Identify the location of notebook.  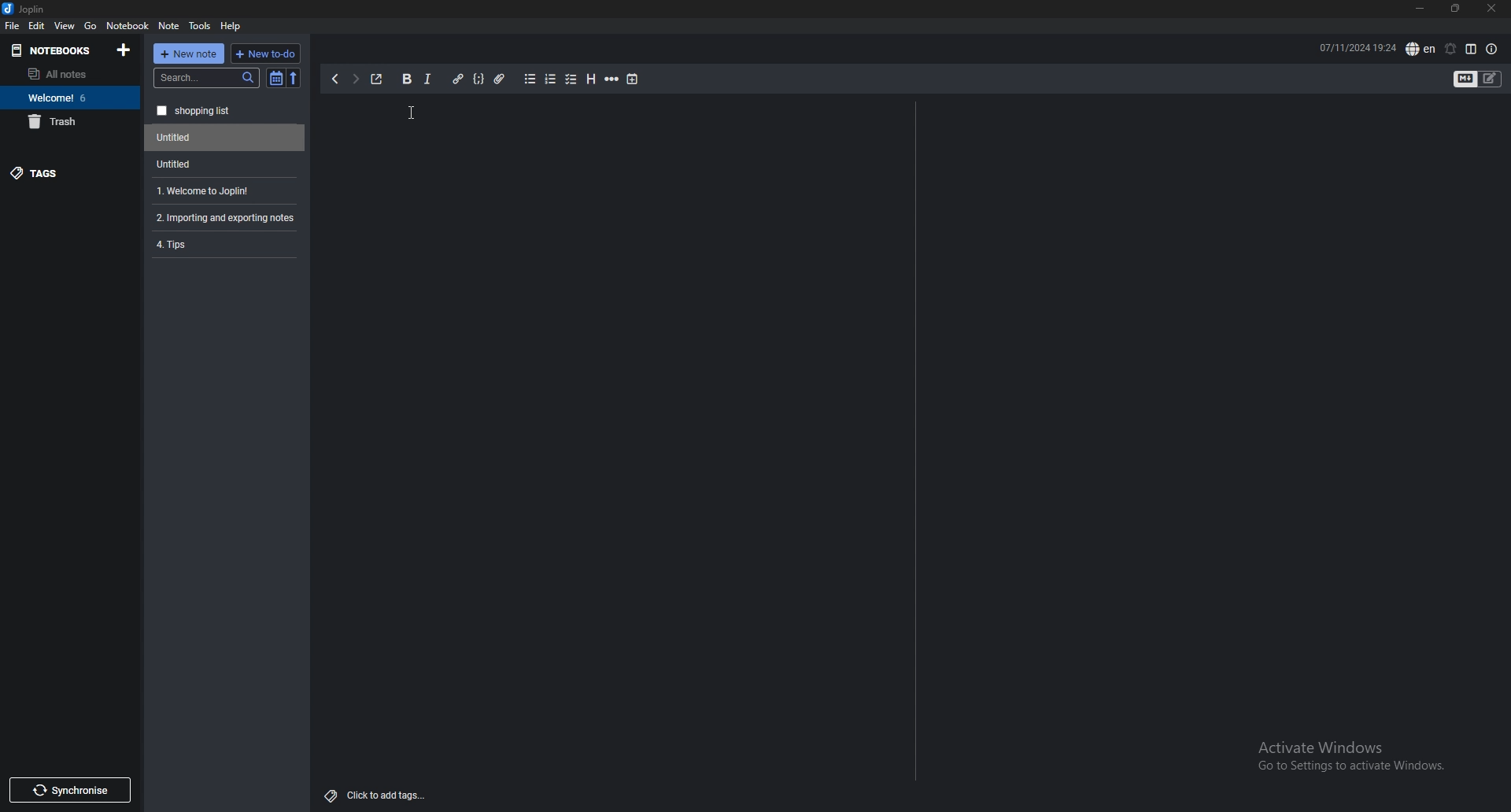
(127, 24).